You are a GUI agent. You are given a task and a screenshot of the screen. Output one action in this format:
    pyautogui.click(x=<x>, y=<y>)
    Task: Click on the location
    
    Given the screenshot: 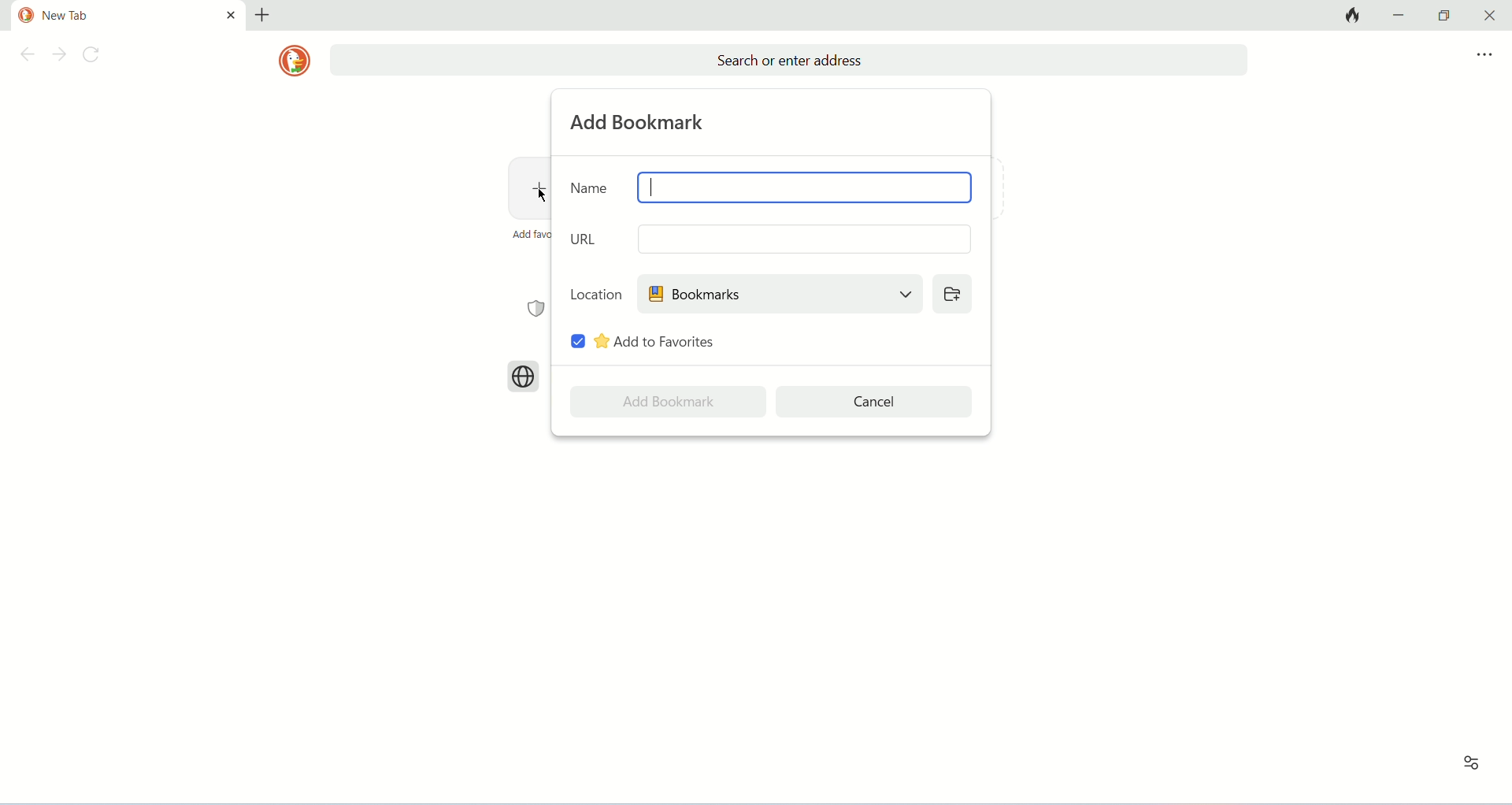 What is the action you would take?
    pyautogui.click(x=596, y=293)
    